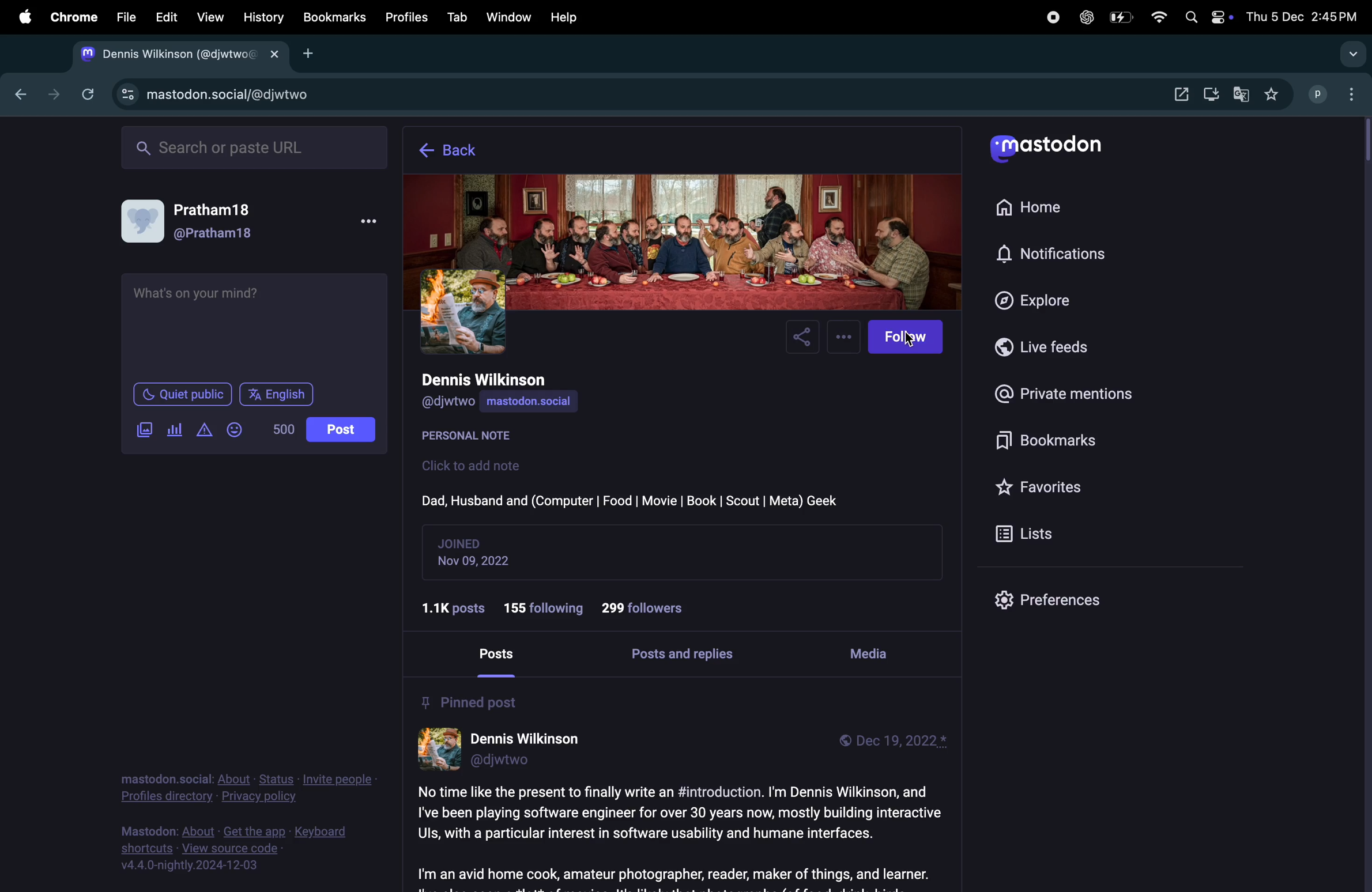  I want to click on post, so click(502, 655).